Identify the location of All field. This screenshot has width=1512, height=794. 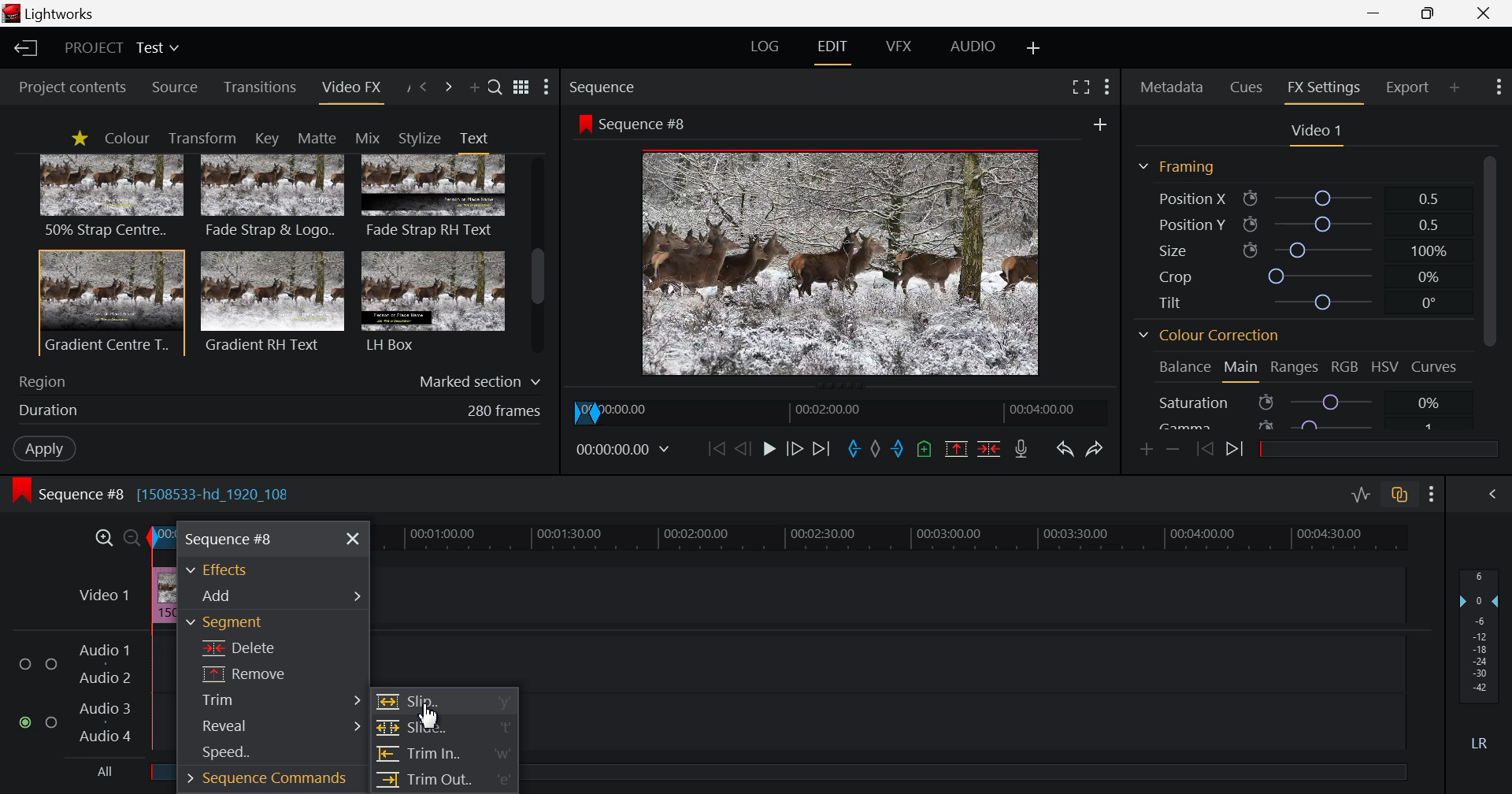
(979, 770).